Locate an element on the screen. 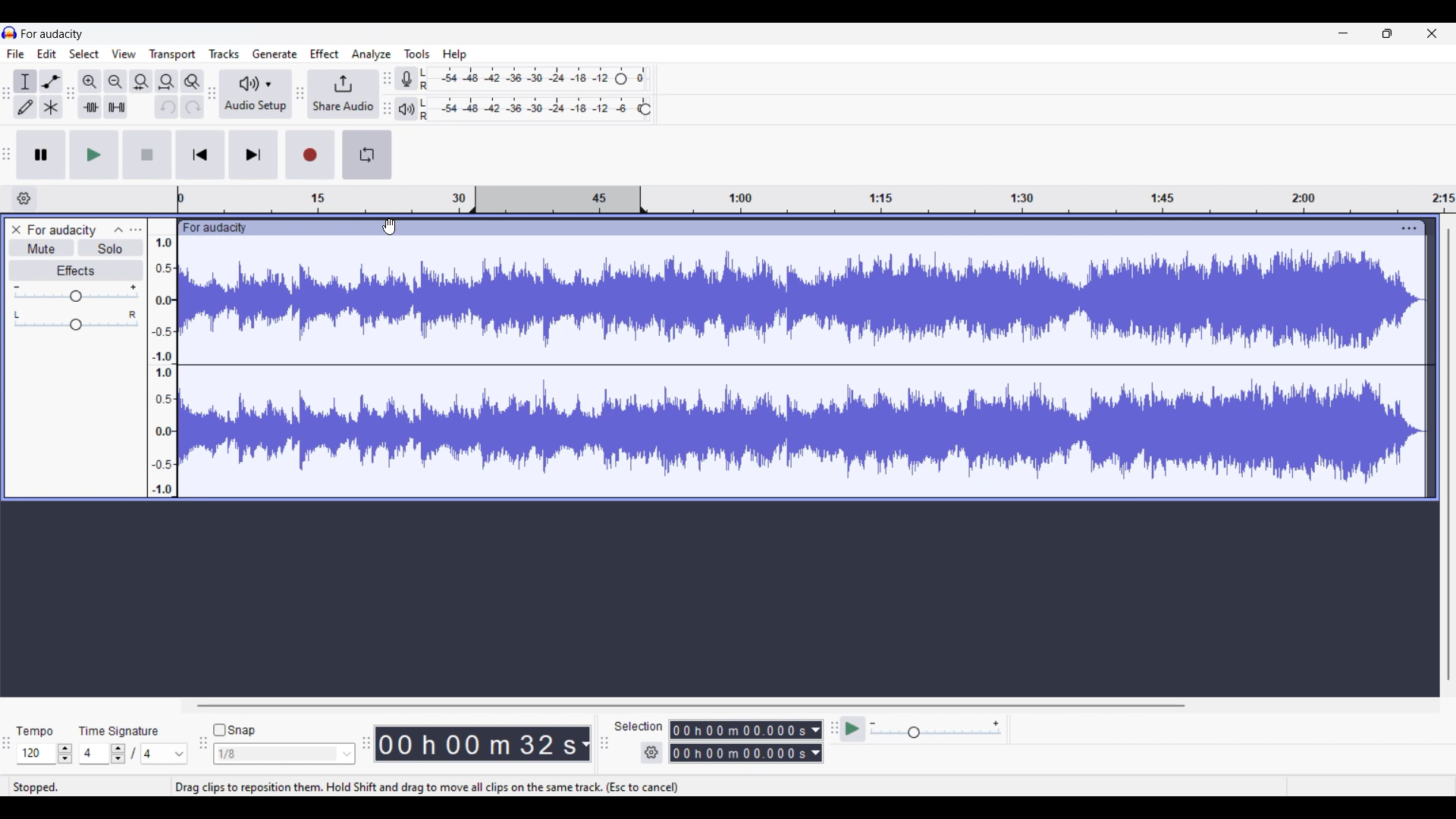 The height and width of the screenshot is (819, 1456). Close interface is located at coordinates (1432, 33).